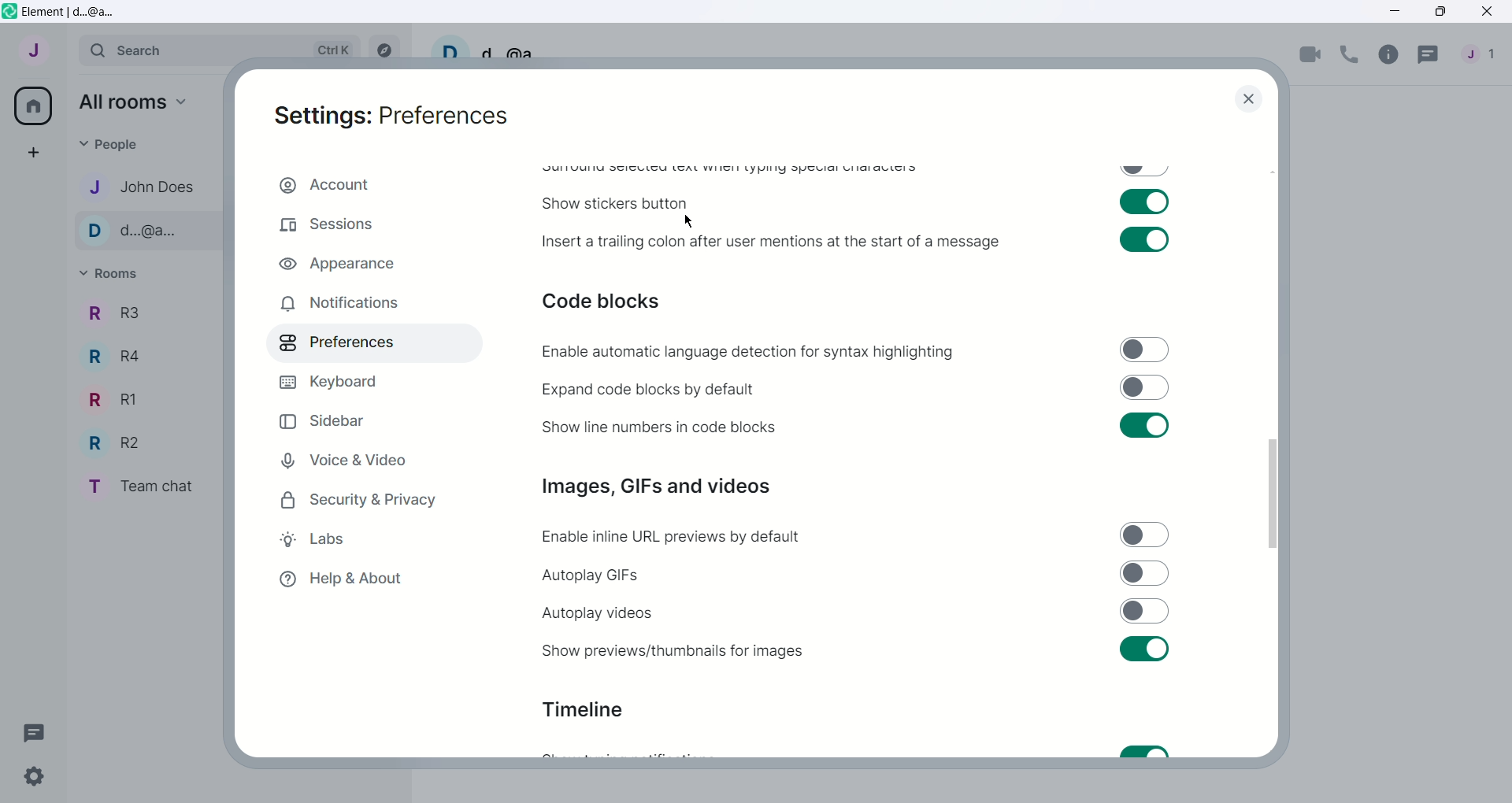 The height and width of the screenshot is (803, 1512). Describe the element at coordinates (1429, 57) in the screenshot. I see `Threads` at that location.